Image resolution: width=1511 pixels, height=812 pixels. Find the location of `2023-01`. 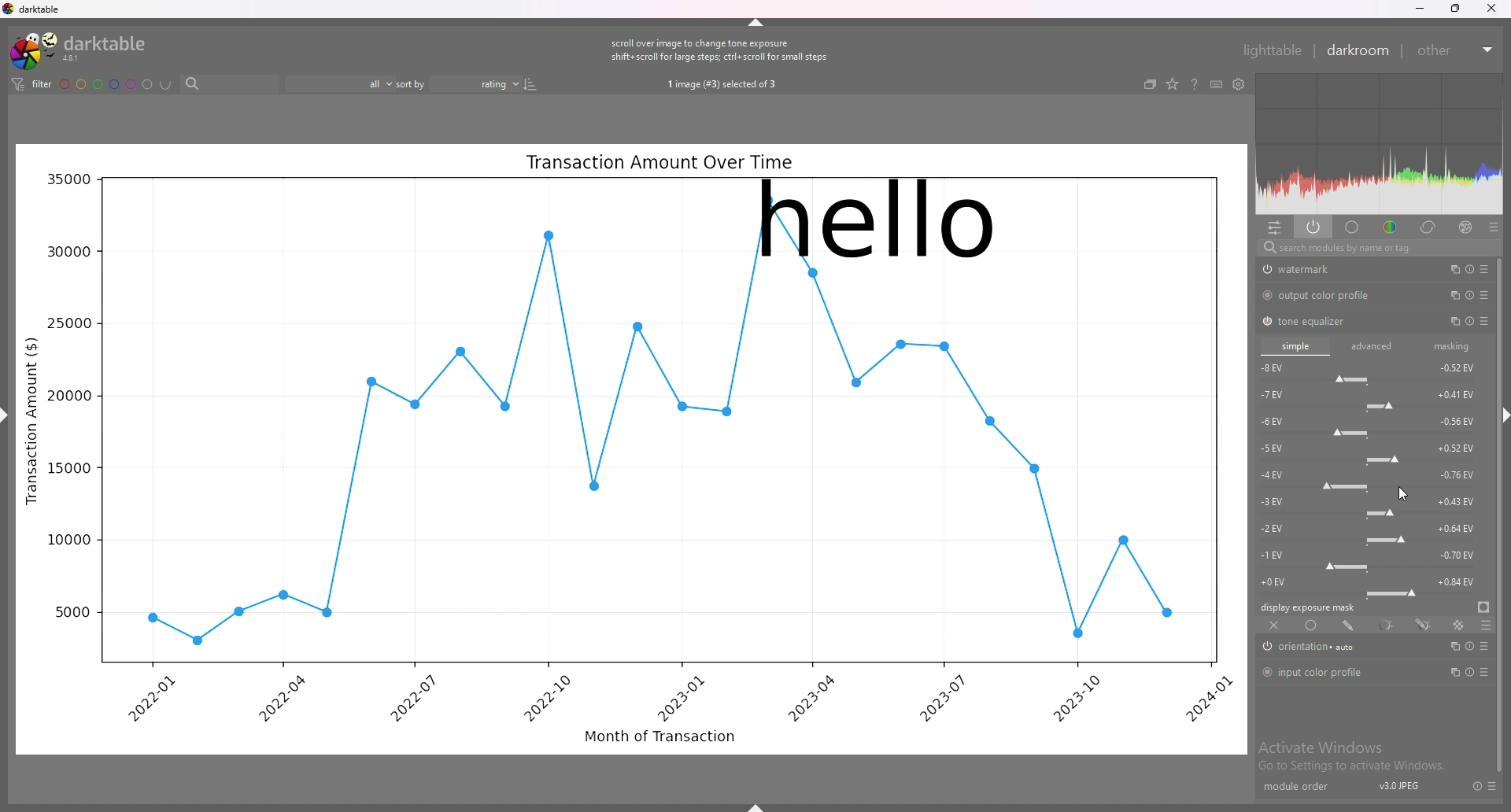

2023-01 is located at coordinates (679, 698).